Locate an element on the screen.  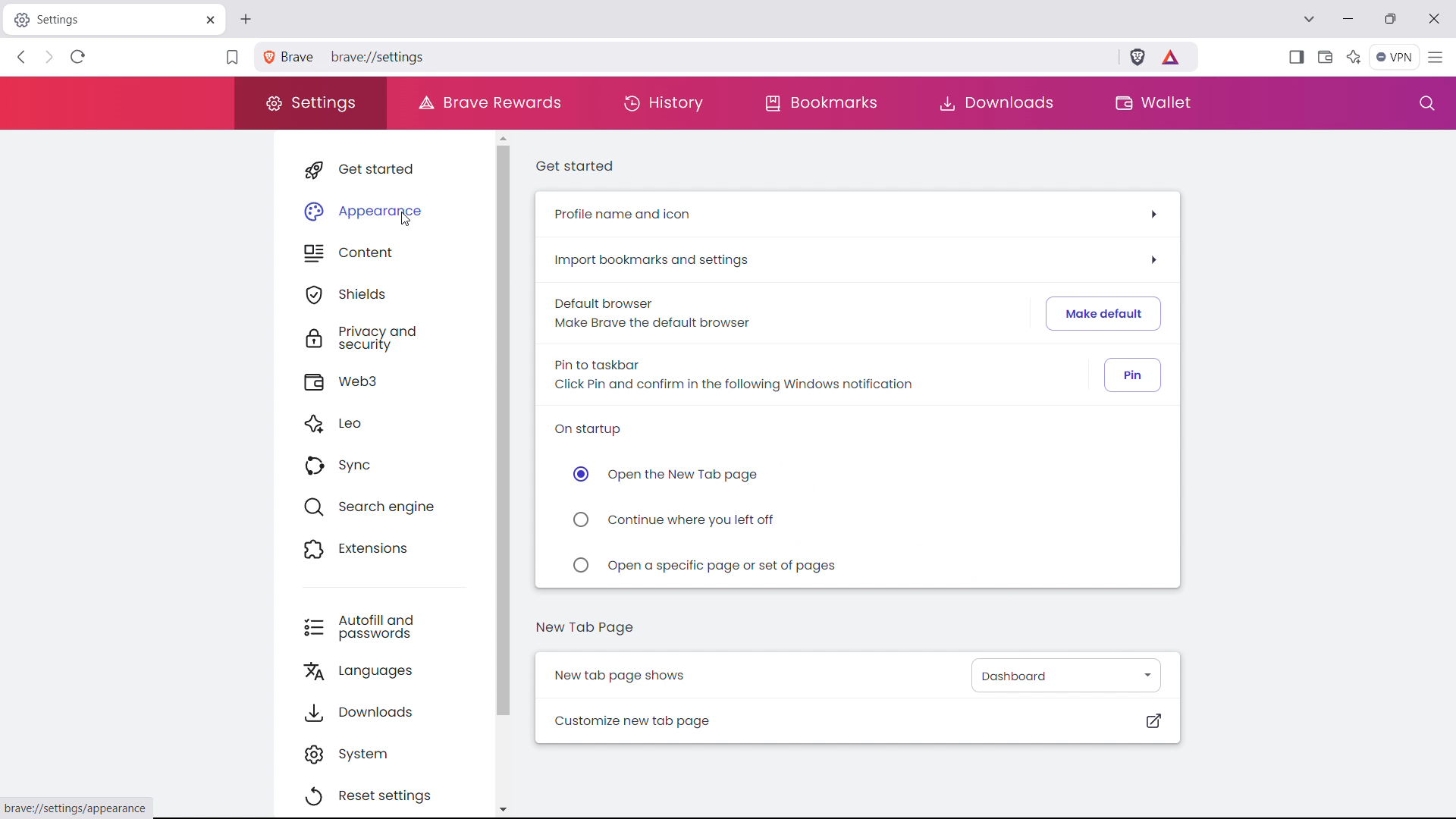
search tabs is located at coordinates (1310, 19).